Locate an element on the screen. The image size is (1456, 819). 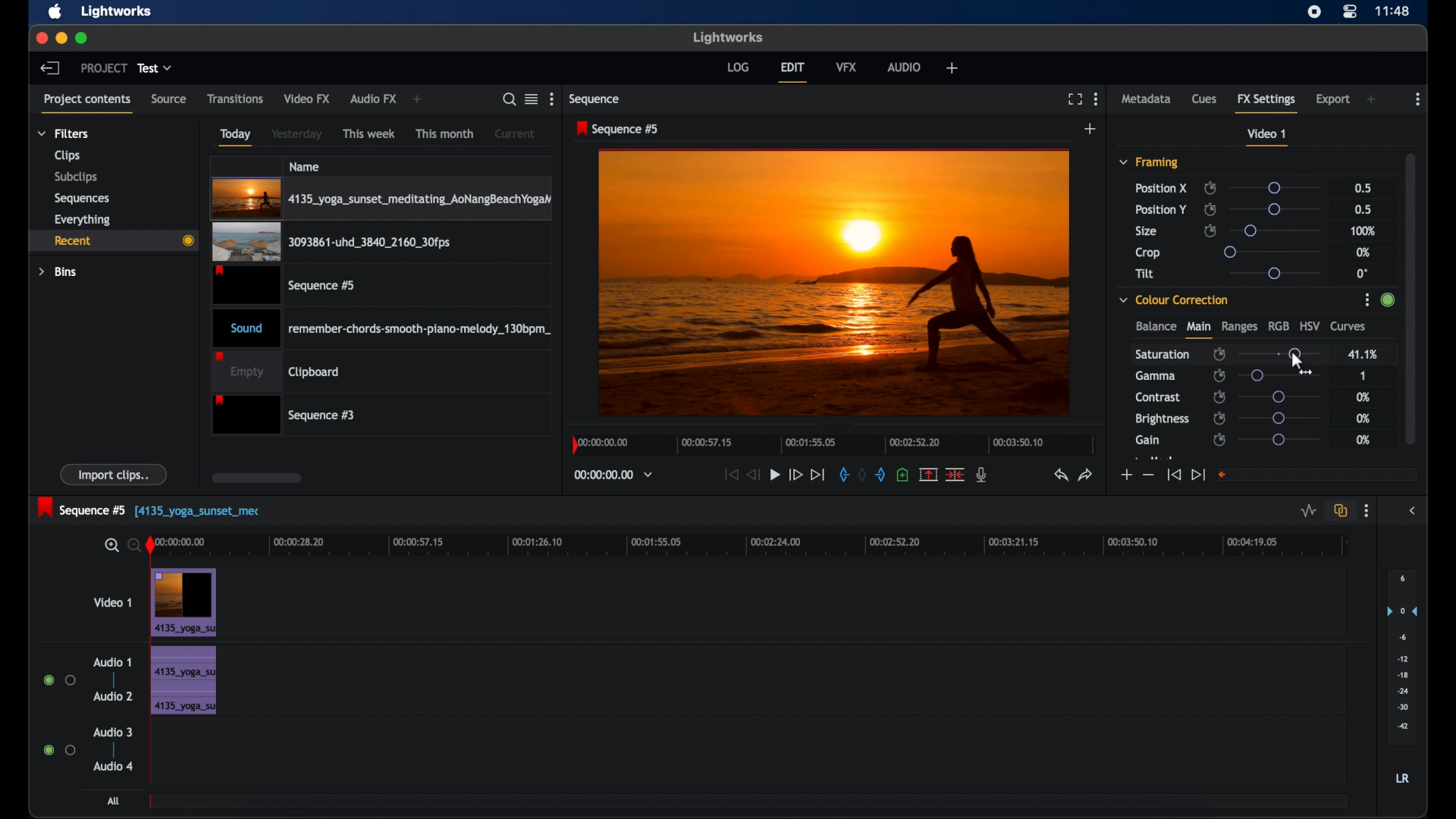
brightness is located at coordinates (1163, 419).